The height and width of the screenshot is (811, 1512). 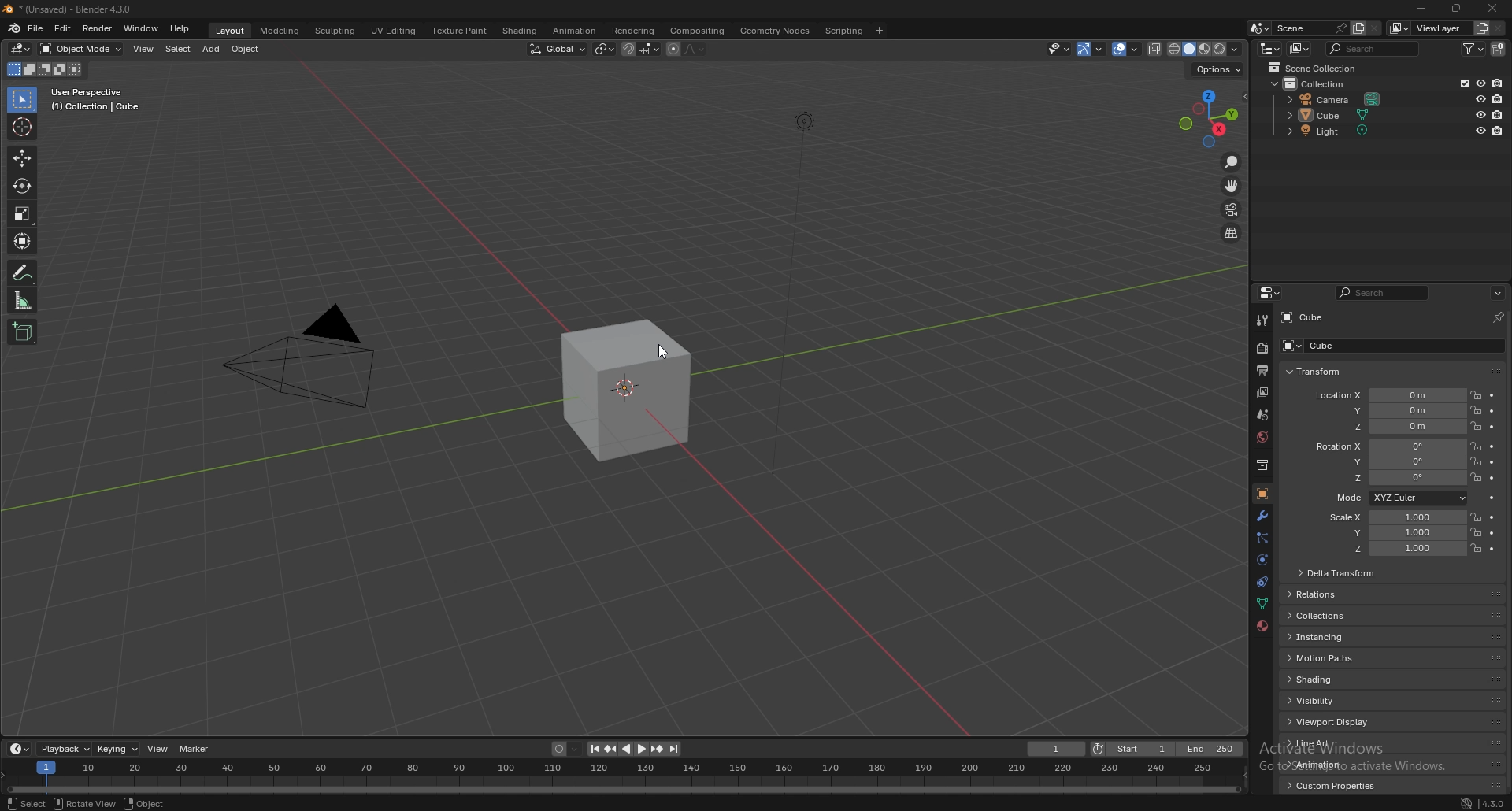 What do you see at coordinates (1261, 349) in the screenshot?
I see `render` at bounding box center [1261, 349].